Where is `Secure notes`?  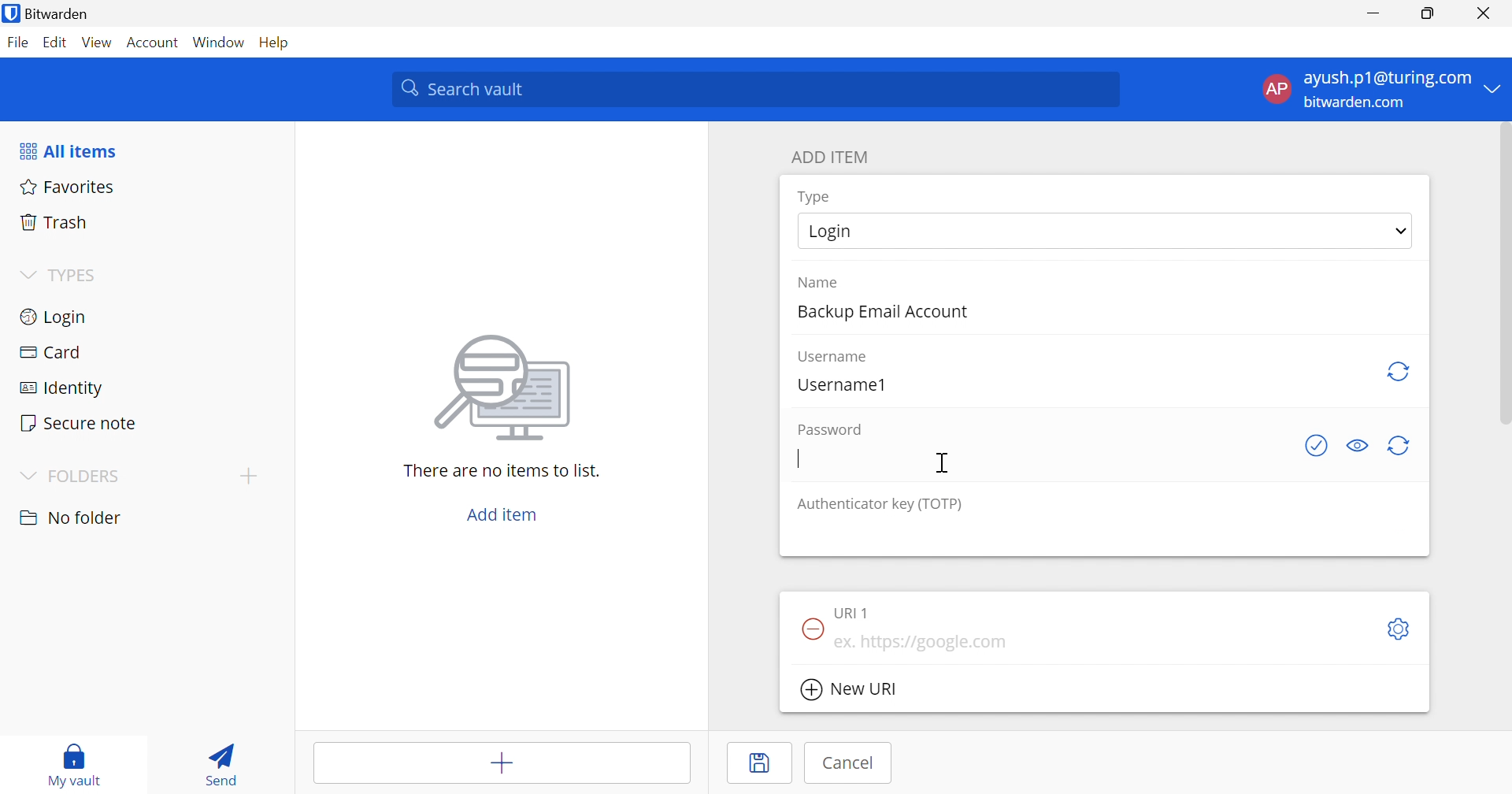 Secure notes is located at coordinates (80, 423).